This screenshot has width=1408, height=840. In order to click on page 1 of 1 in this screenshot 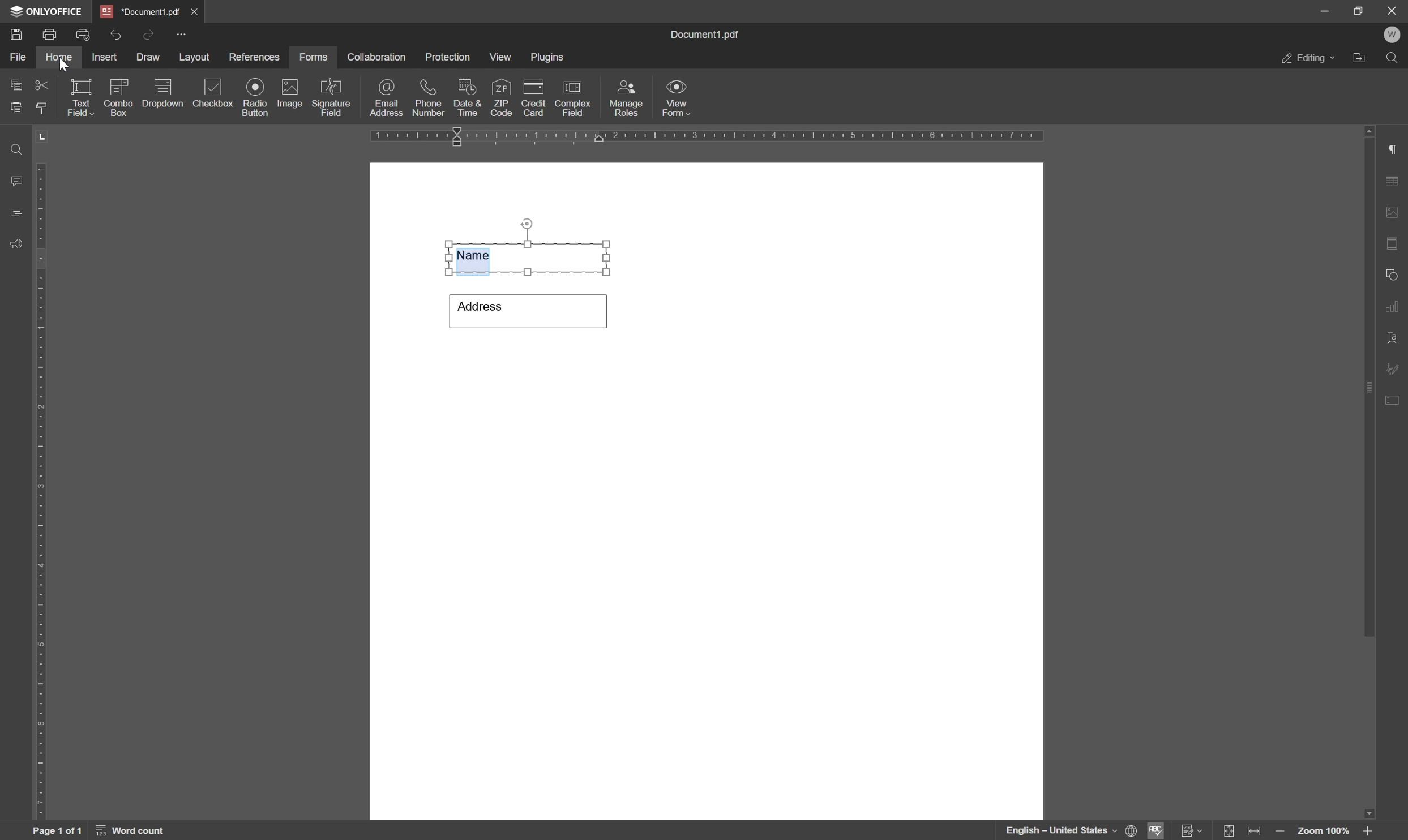, I will do `click(57, 831)`.